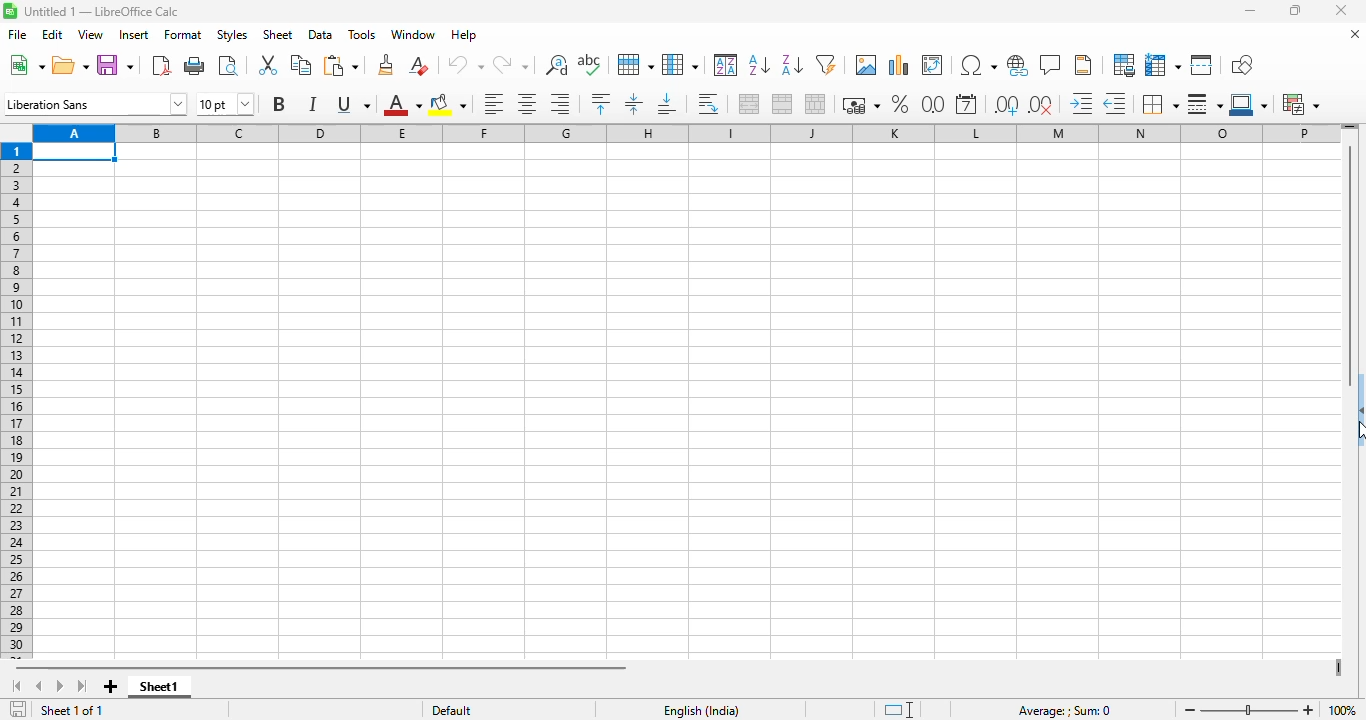 The width and height of the screenshot is (1366, 720). What do you see at coordinates (1115, 103) in the screenshot?
I see `delete decimal` at bounding box center [1115, 103].